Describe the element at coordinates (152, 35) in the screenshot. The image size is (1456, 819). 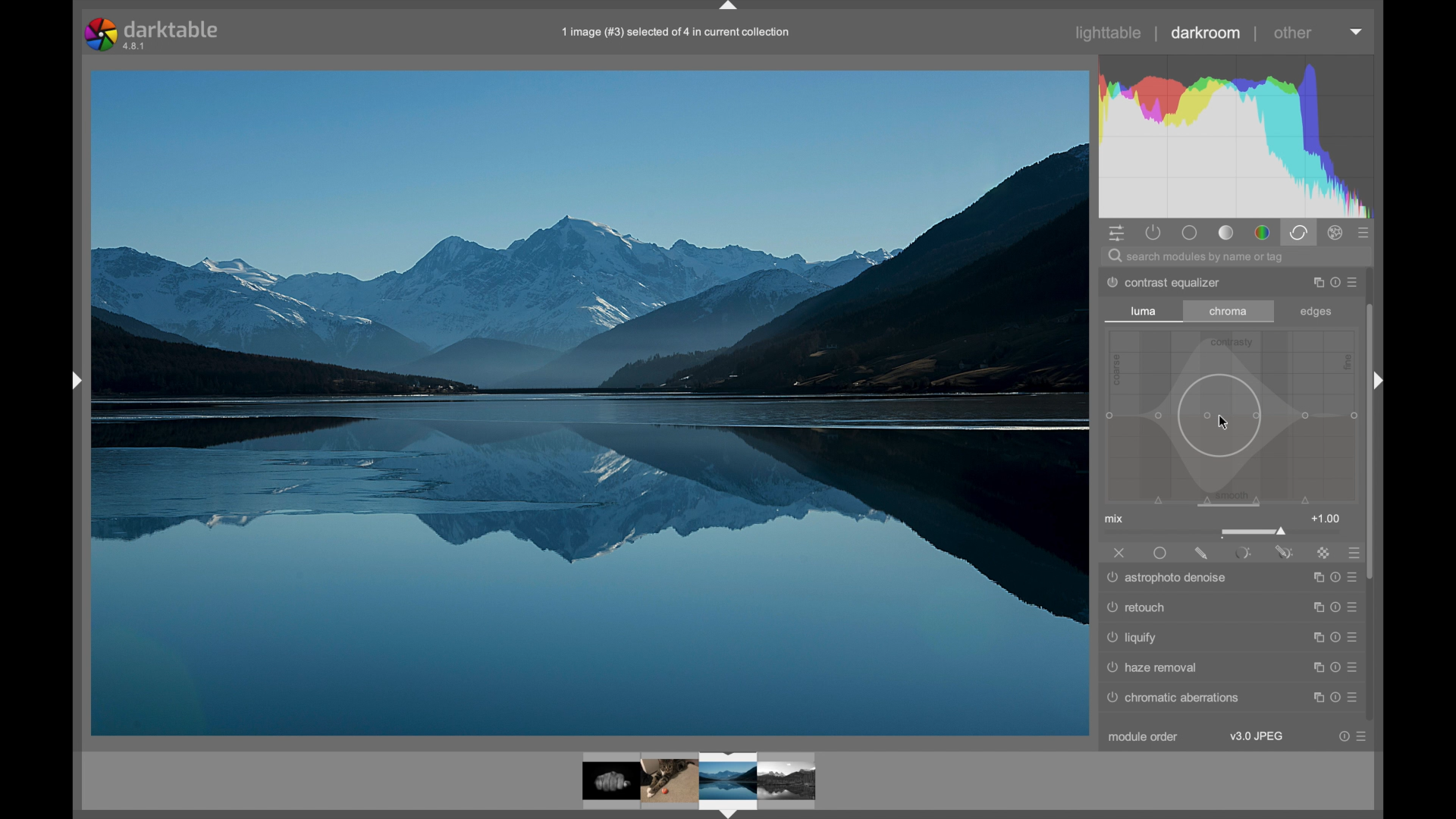
I see `darktable` at that location.